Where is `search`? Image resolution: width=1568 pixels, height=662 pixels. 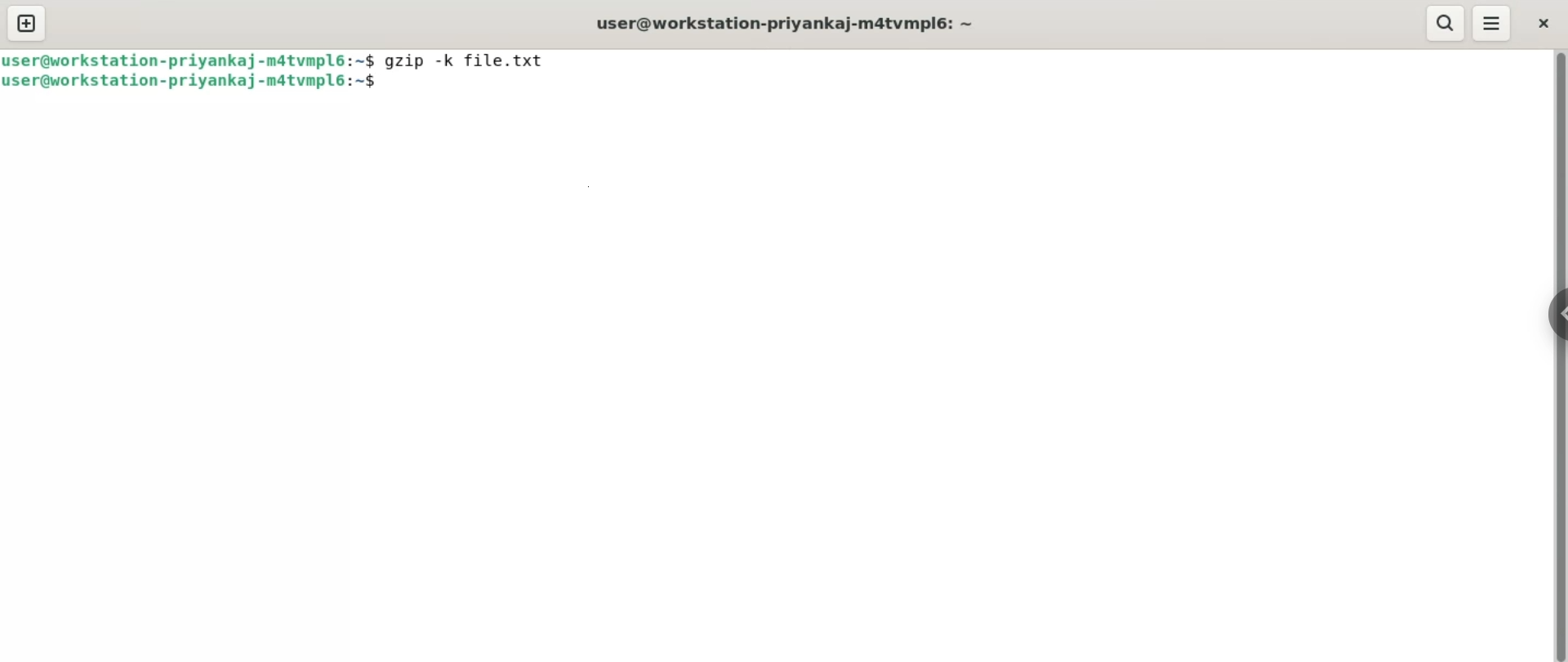 search is located at coordinates (1444, 22).